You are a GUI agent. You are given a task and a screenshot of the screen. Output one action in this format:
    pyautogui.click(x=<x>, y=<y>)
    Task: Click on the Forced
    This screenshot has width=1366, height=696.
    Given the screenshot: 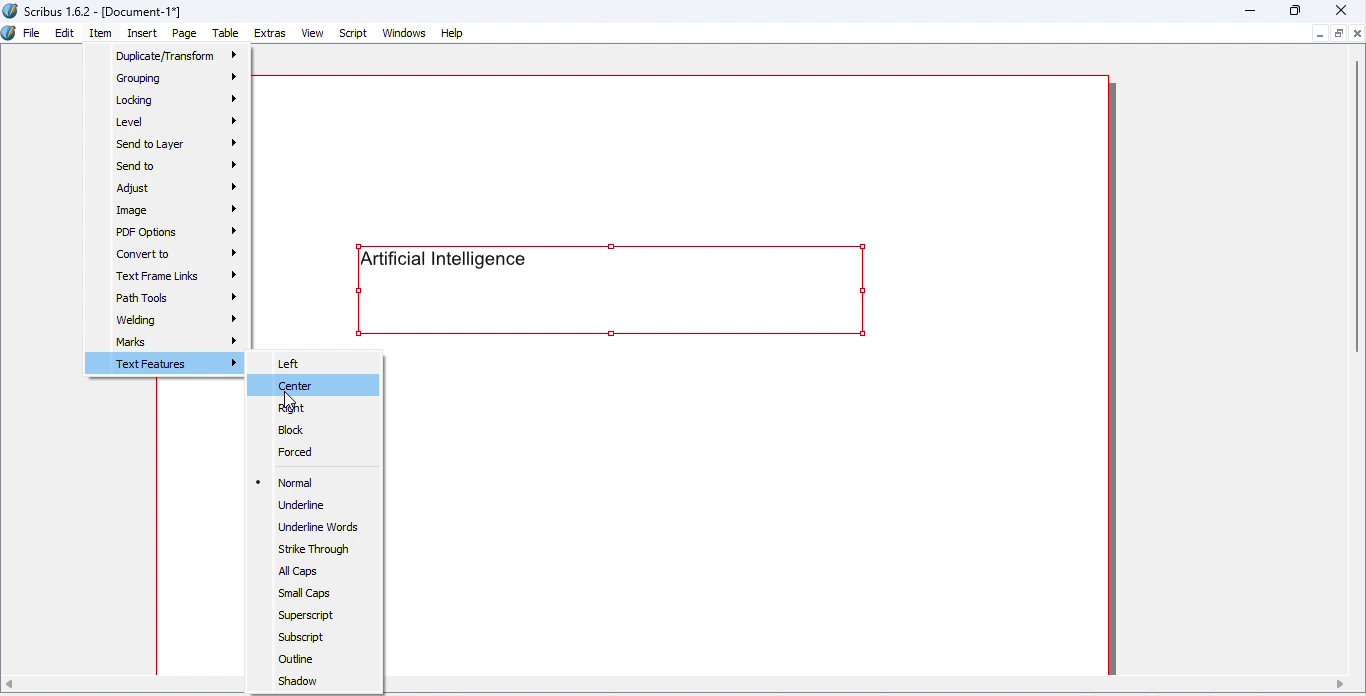 What is the action you would take?
    pyautogui.click(x=298, y=449)
    